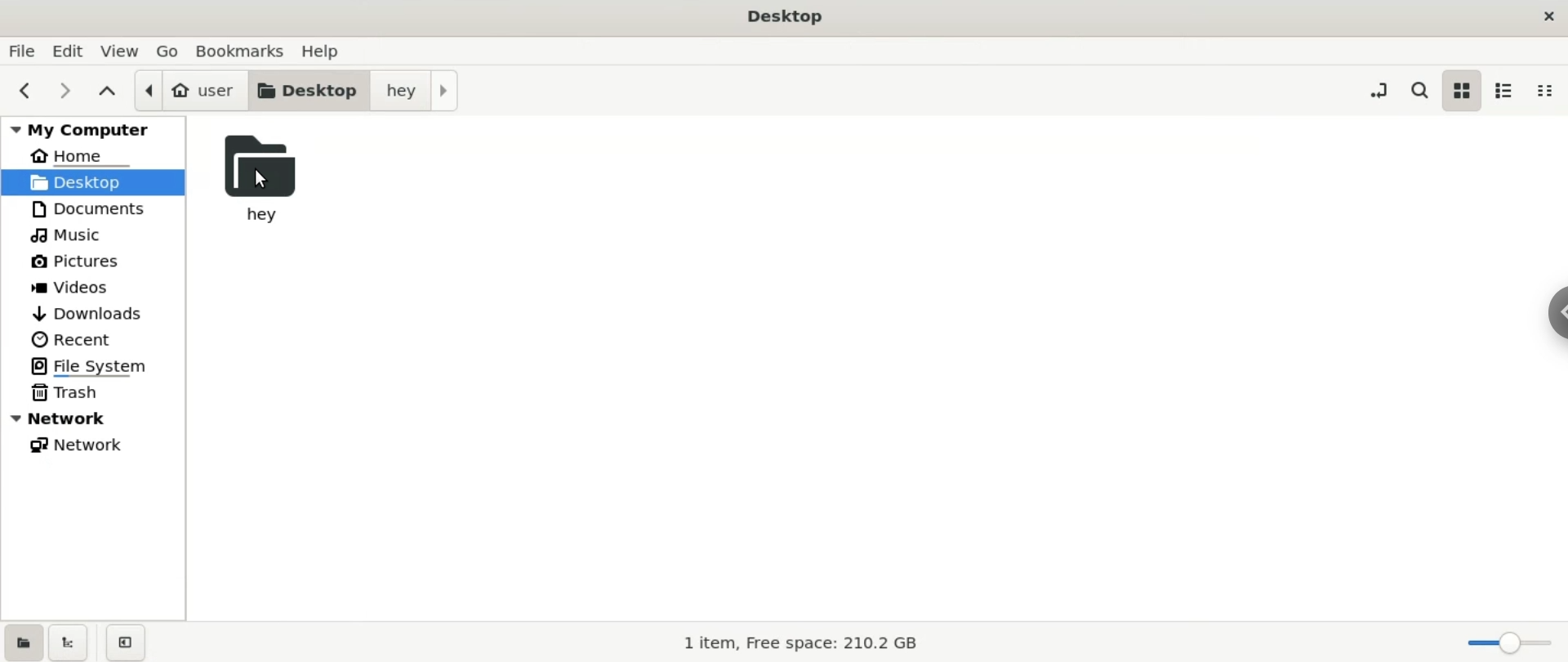  What do you see at coordinates (93, 235) in the screenshot?
I see `music` at bounding box center [93, 235].